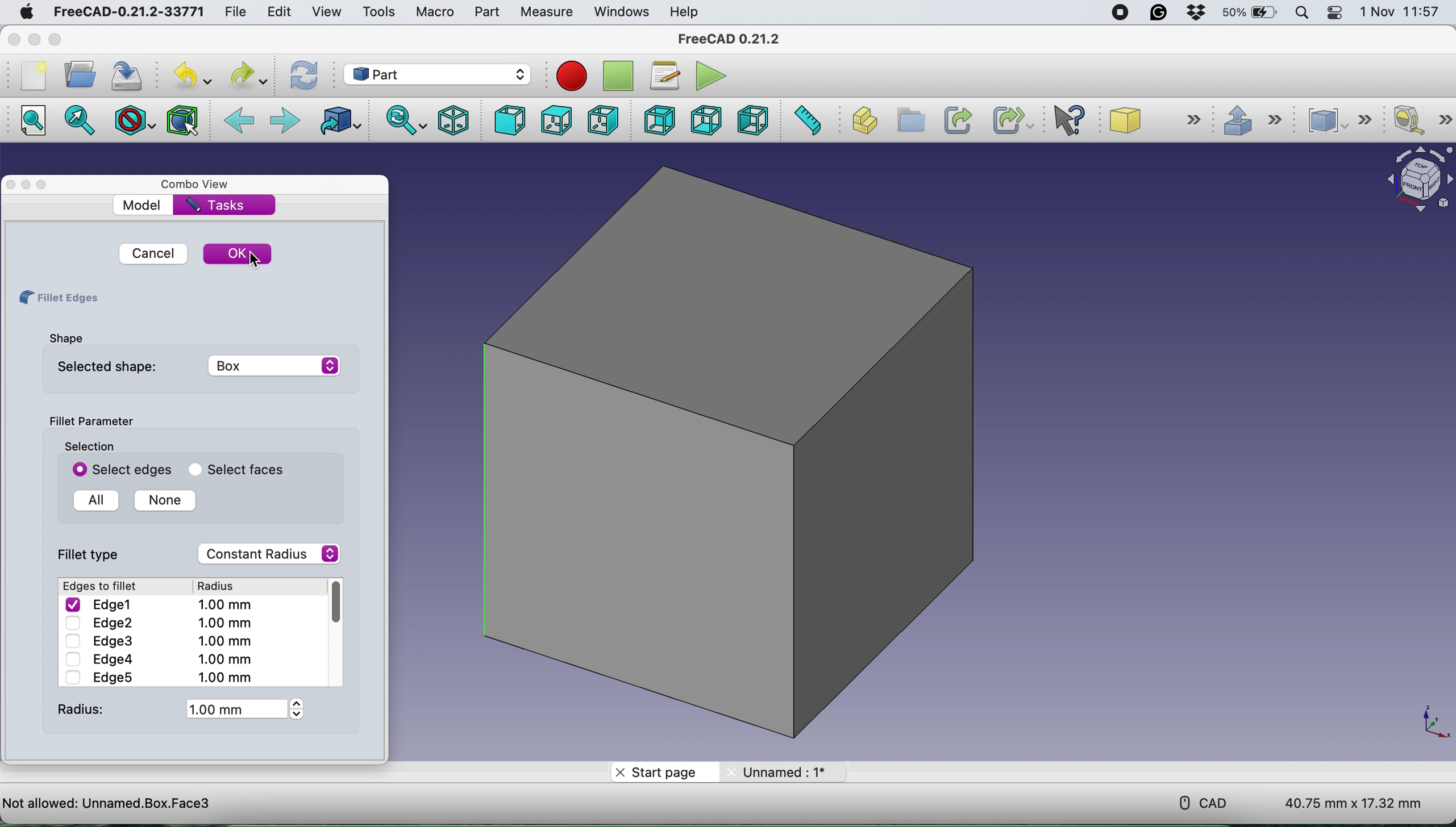 This screenshot has width=1456, height=827. I want to click on All, so click(92, 501).